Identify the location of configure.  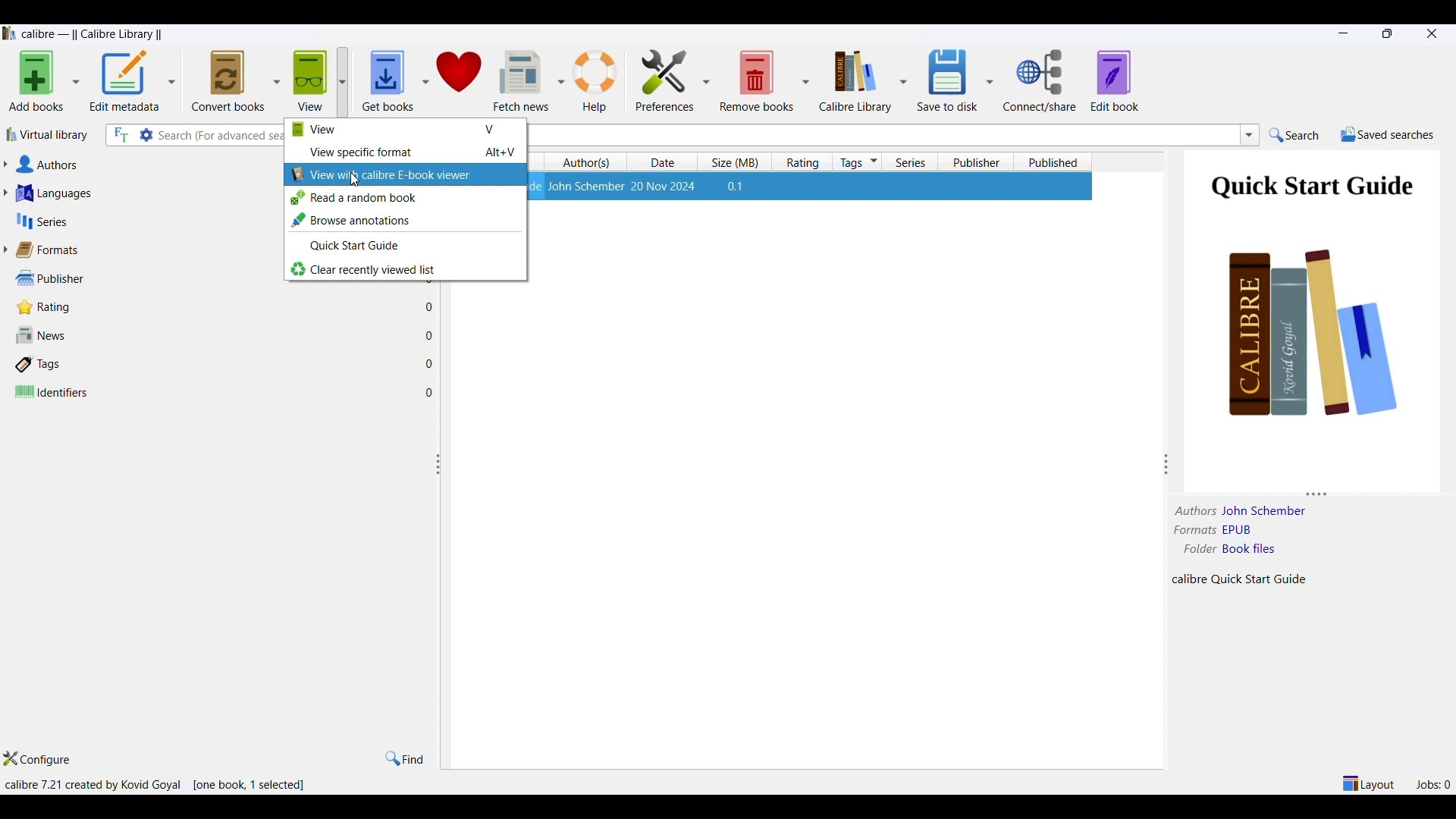
(42, 761).